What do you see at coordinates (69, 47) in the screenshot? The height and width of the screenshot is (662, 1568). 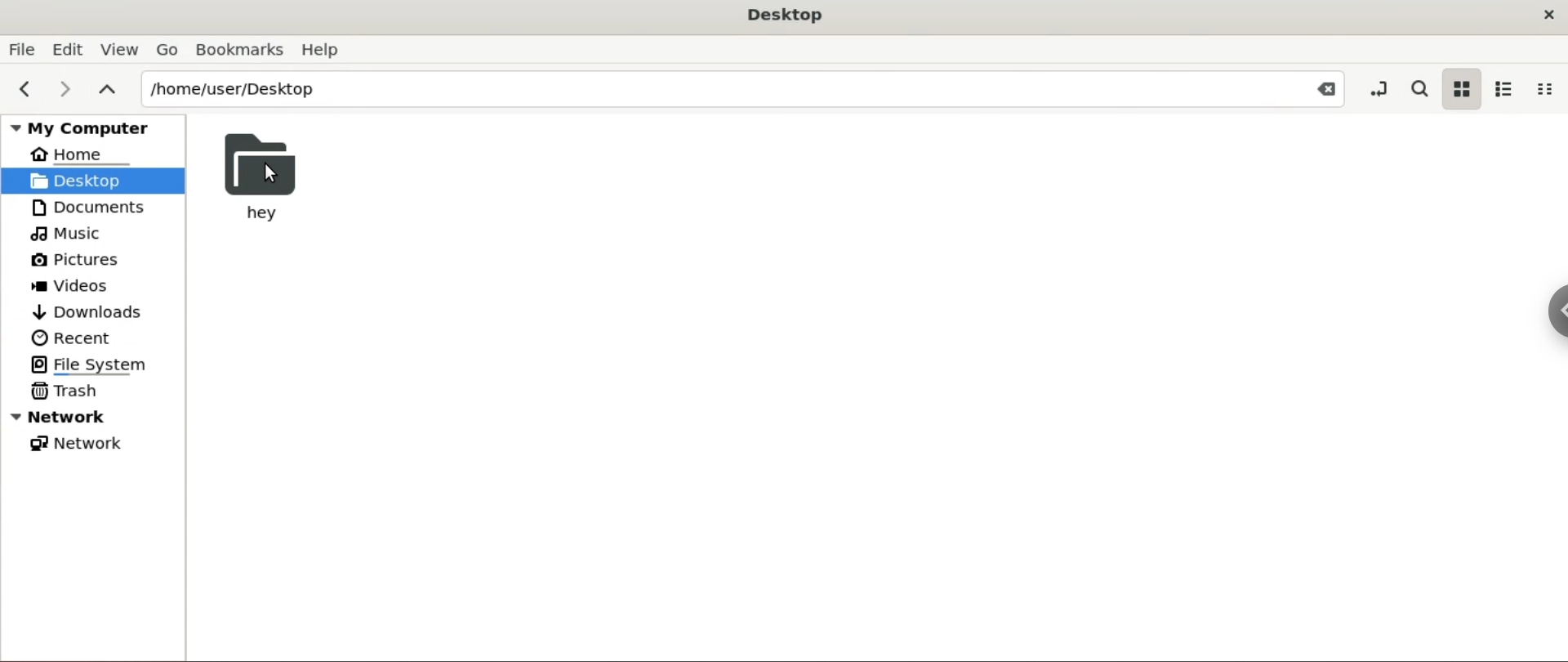 I see `Edit` at bounding box center [69, 47].